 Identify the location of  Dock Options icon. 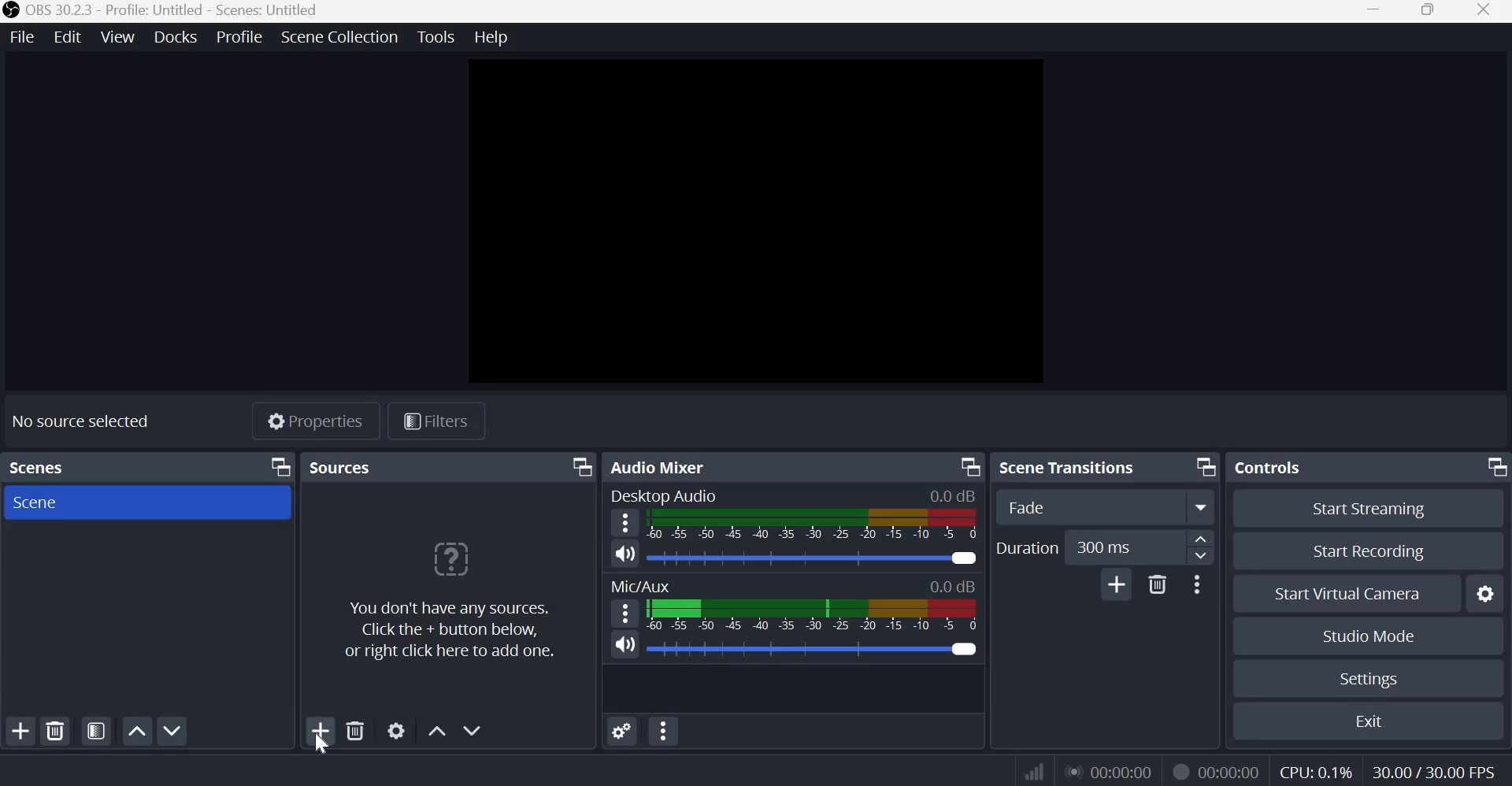
(1204, 465).